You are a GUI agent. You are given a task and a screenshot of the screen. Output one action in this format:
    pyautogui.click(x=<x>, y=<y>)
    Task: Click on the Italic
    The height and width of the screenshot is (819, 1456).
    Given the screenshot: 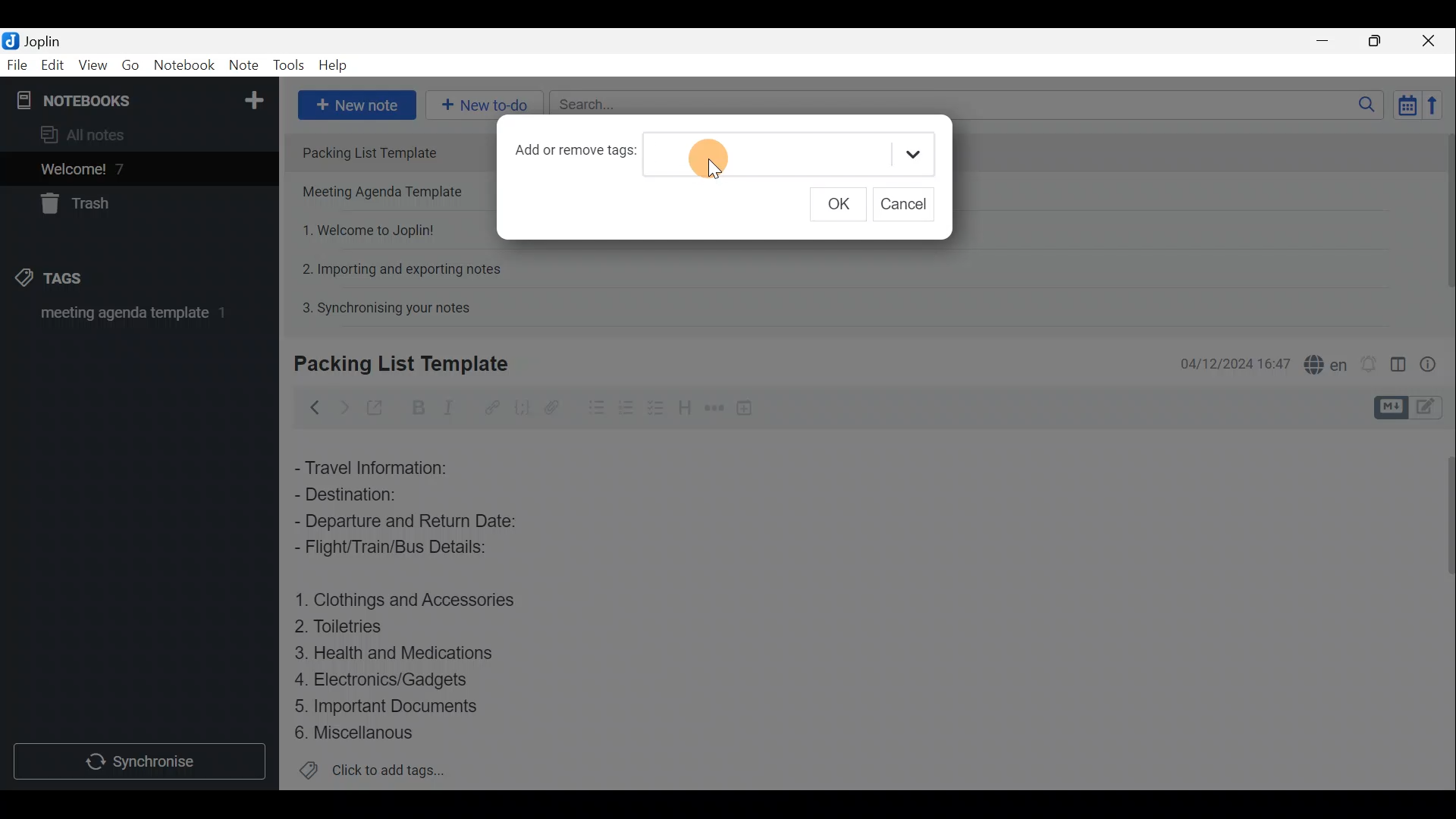 What is the action you would take?
    pyautogui.click(x=454, y=407)
    